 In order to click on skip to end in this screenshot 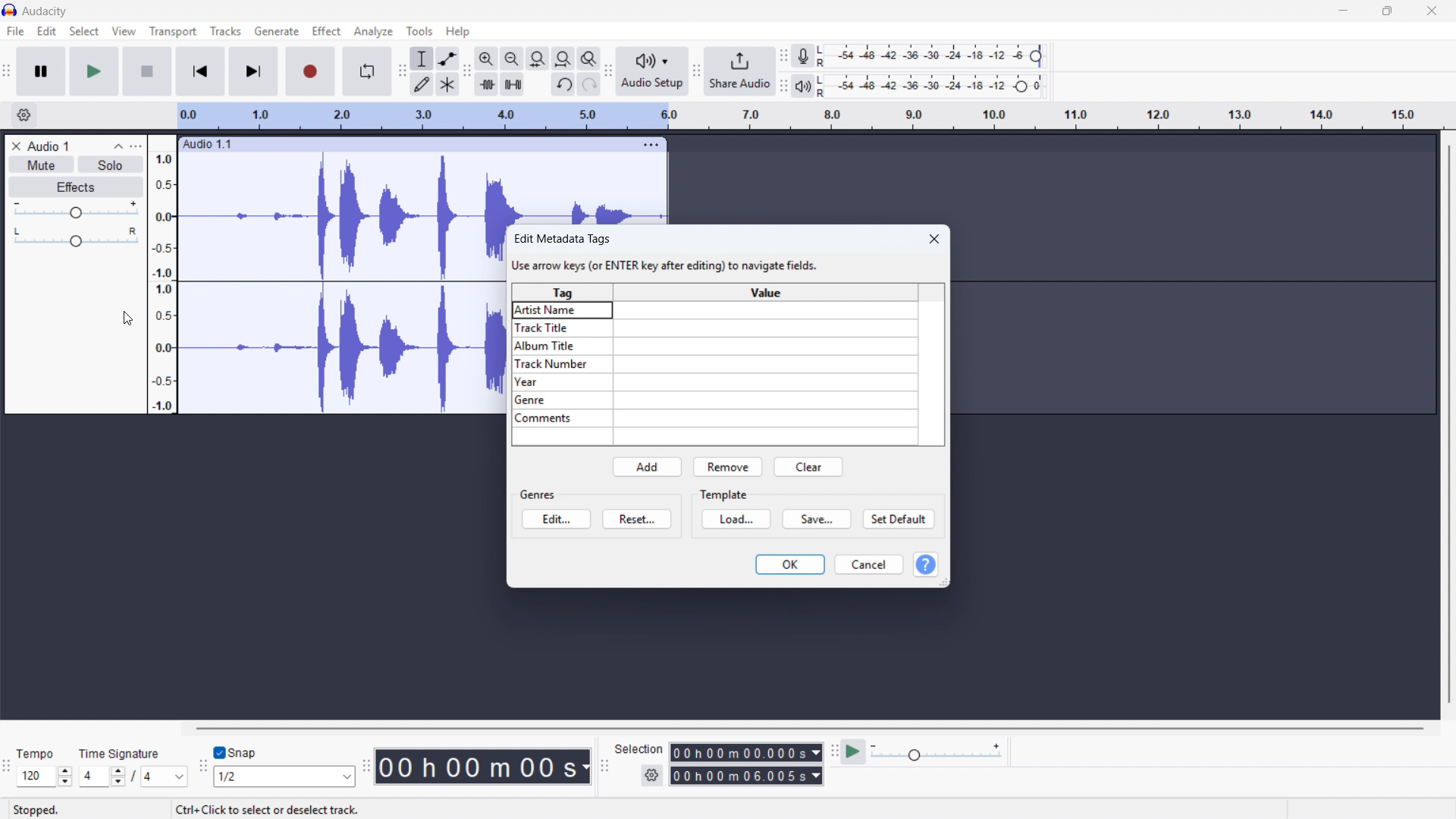, I will do `click(254, 72)`.